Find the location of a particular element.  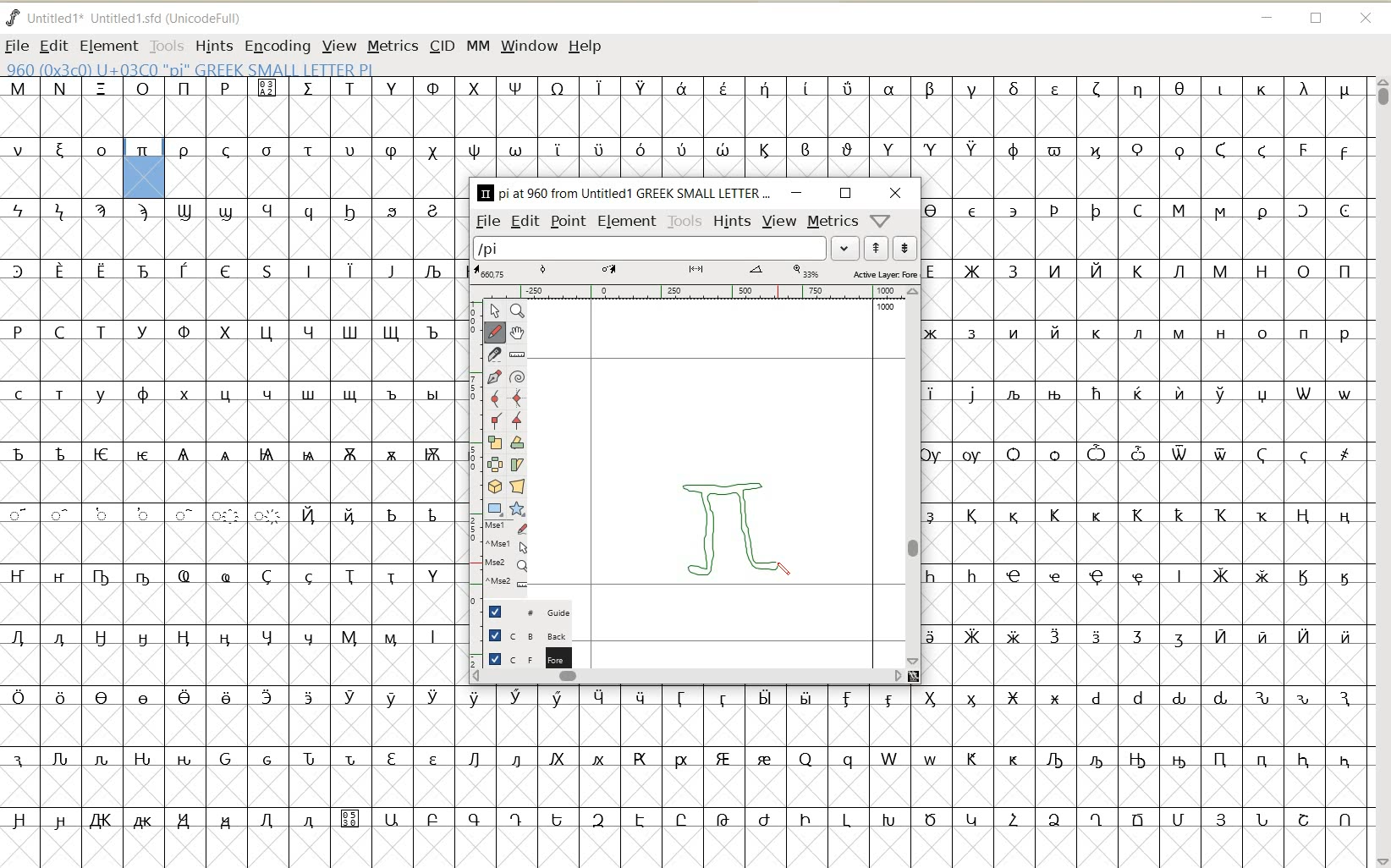

glyph characters is located at coordinates (914, 125).